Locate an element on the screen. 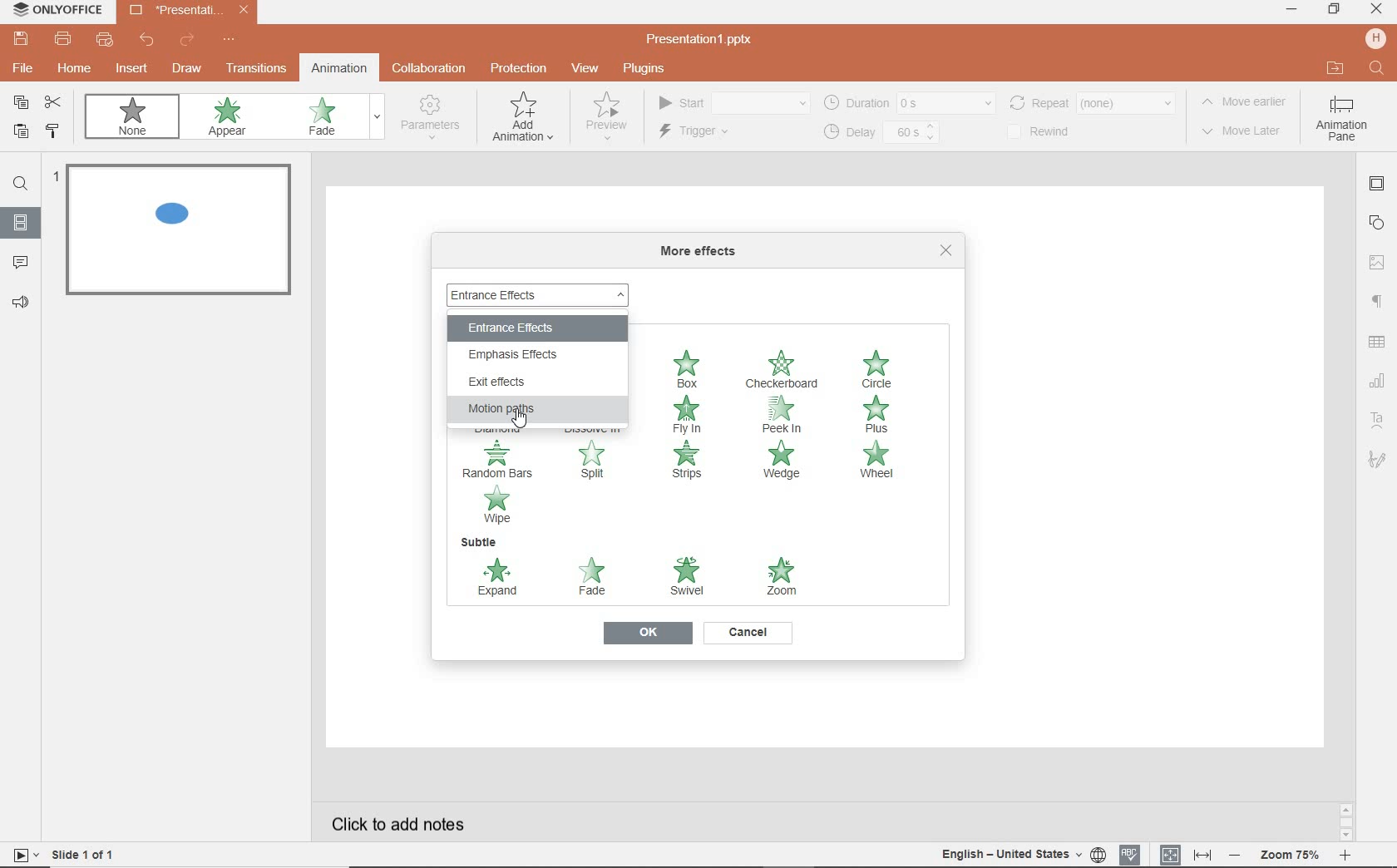 The image size is (1397, 868). preview is located at coordinates (605, 121).